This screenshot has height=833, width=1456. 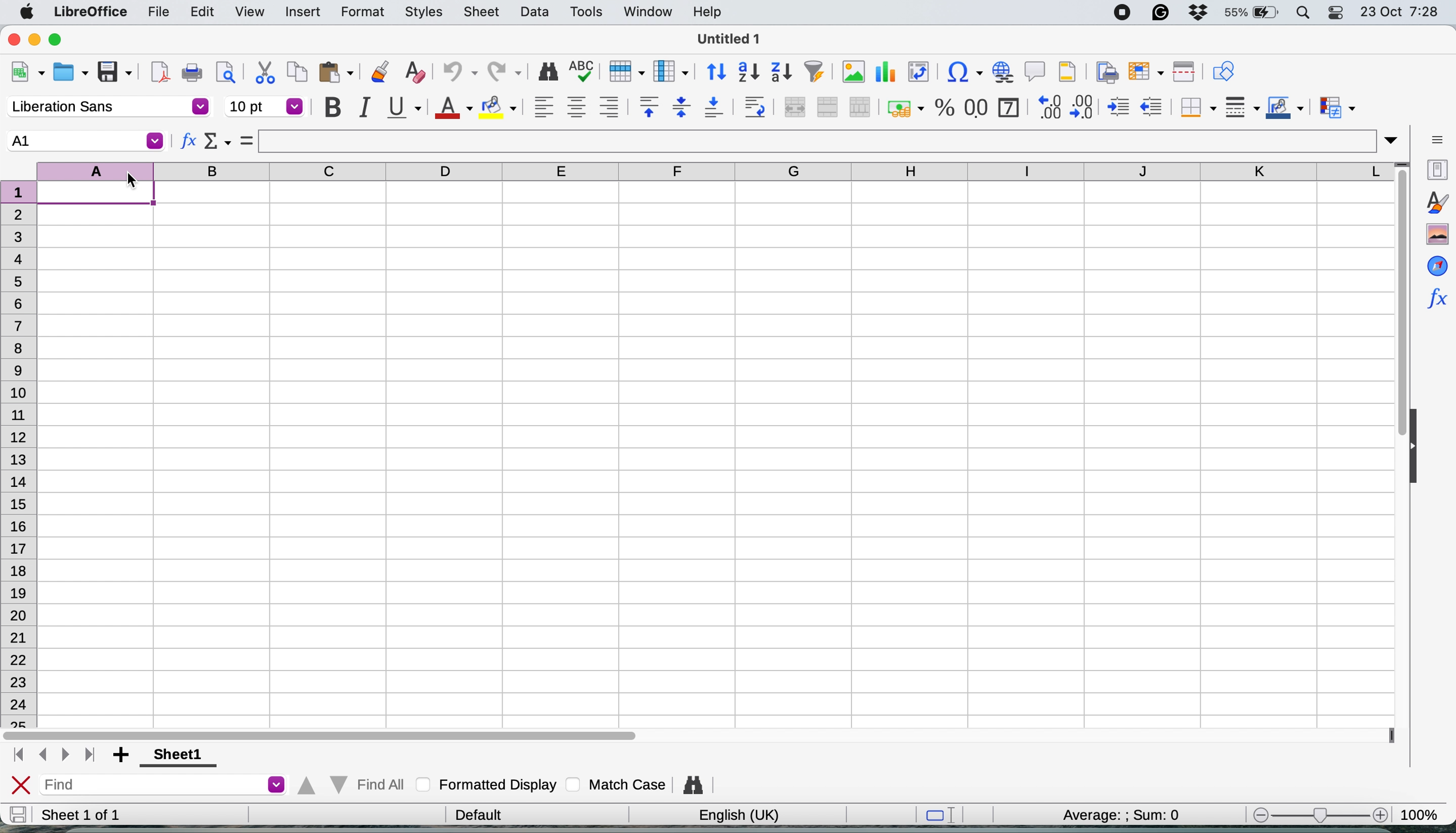 What do you see at coordinates (216, 142) in the screenshot?
I see `select function` at bounding box center [216, 142].